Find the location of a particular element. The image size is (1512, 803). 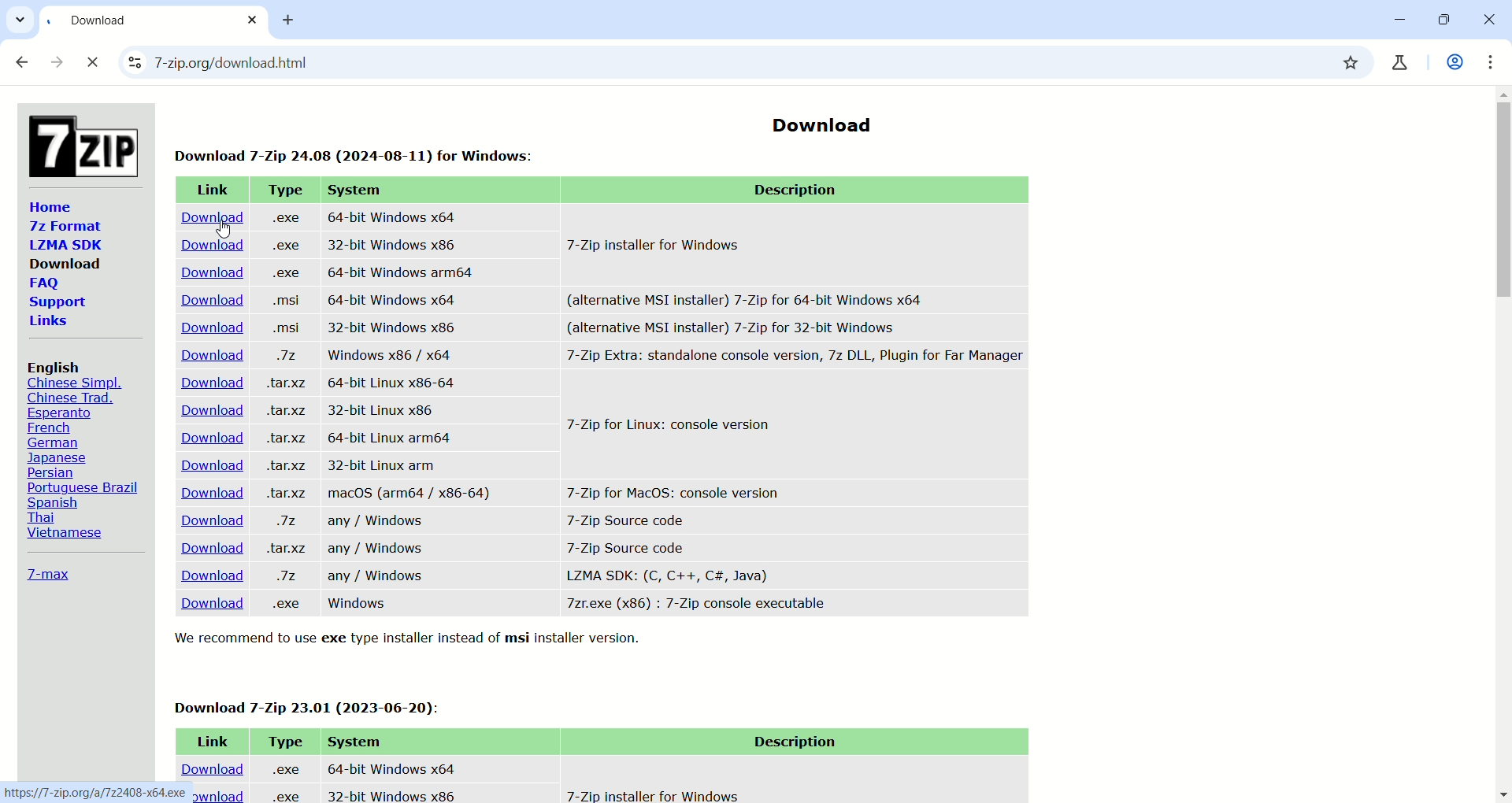

Download is located at coordinates (205, 410).